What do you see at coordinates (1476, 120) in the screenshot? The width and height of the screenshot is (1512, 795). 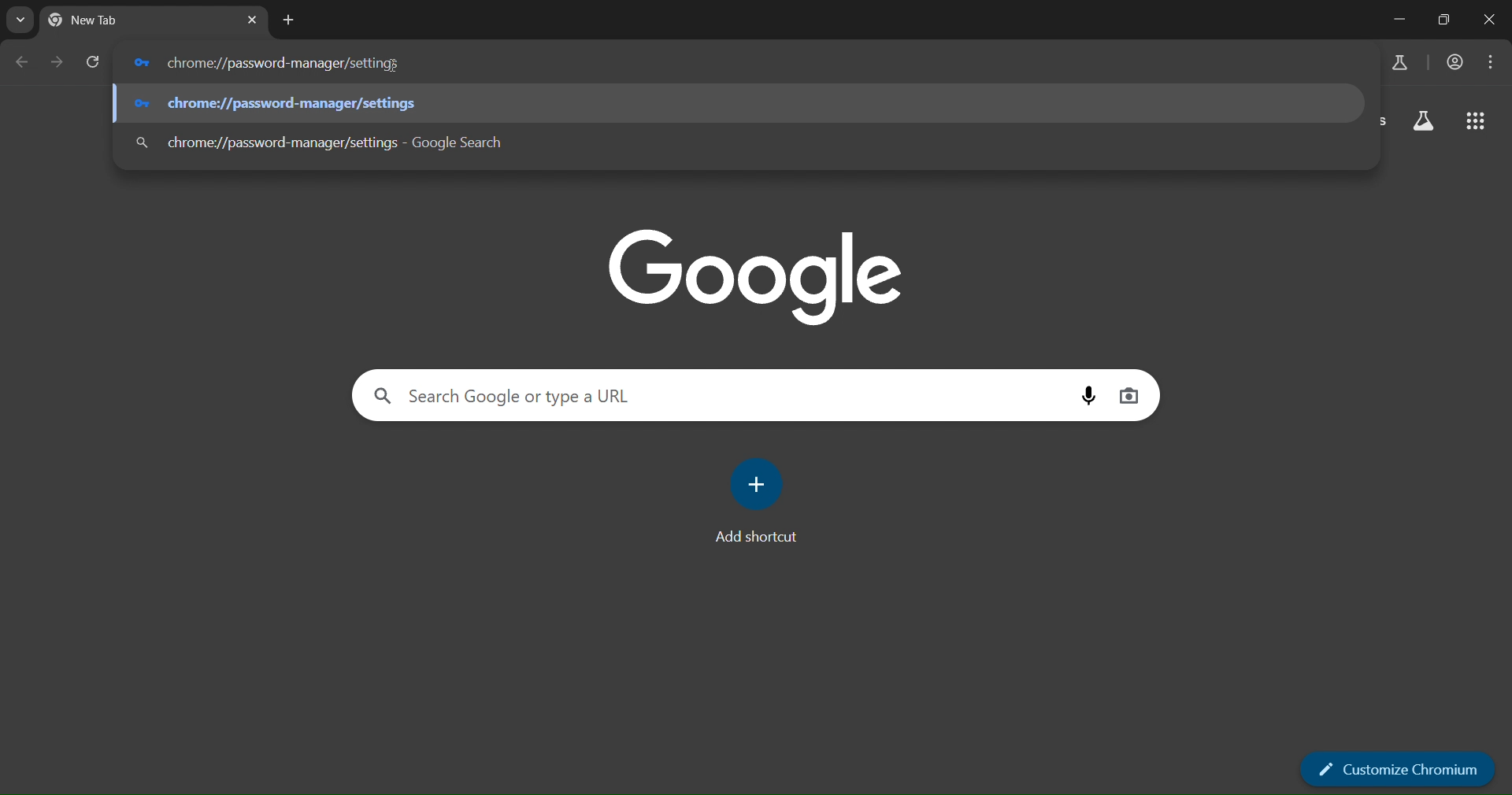 I see `google apps` at bounding box center [1476, 120].